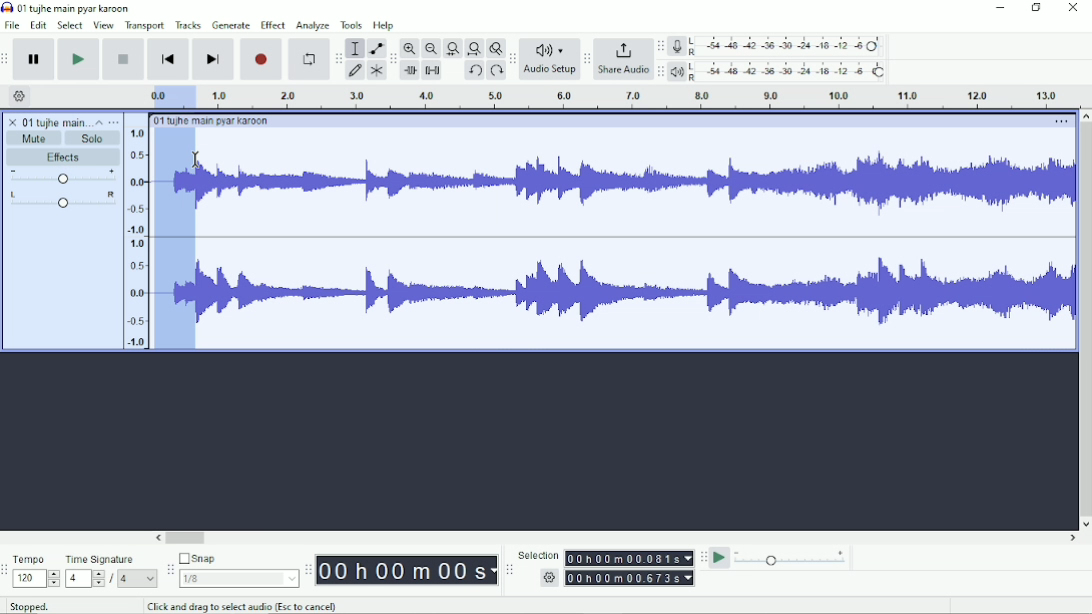 The width and height of the screenshot is (1092, 614). I want to click on Tracks, so click(189, 24).